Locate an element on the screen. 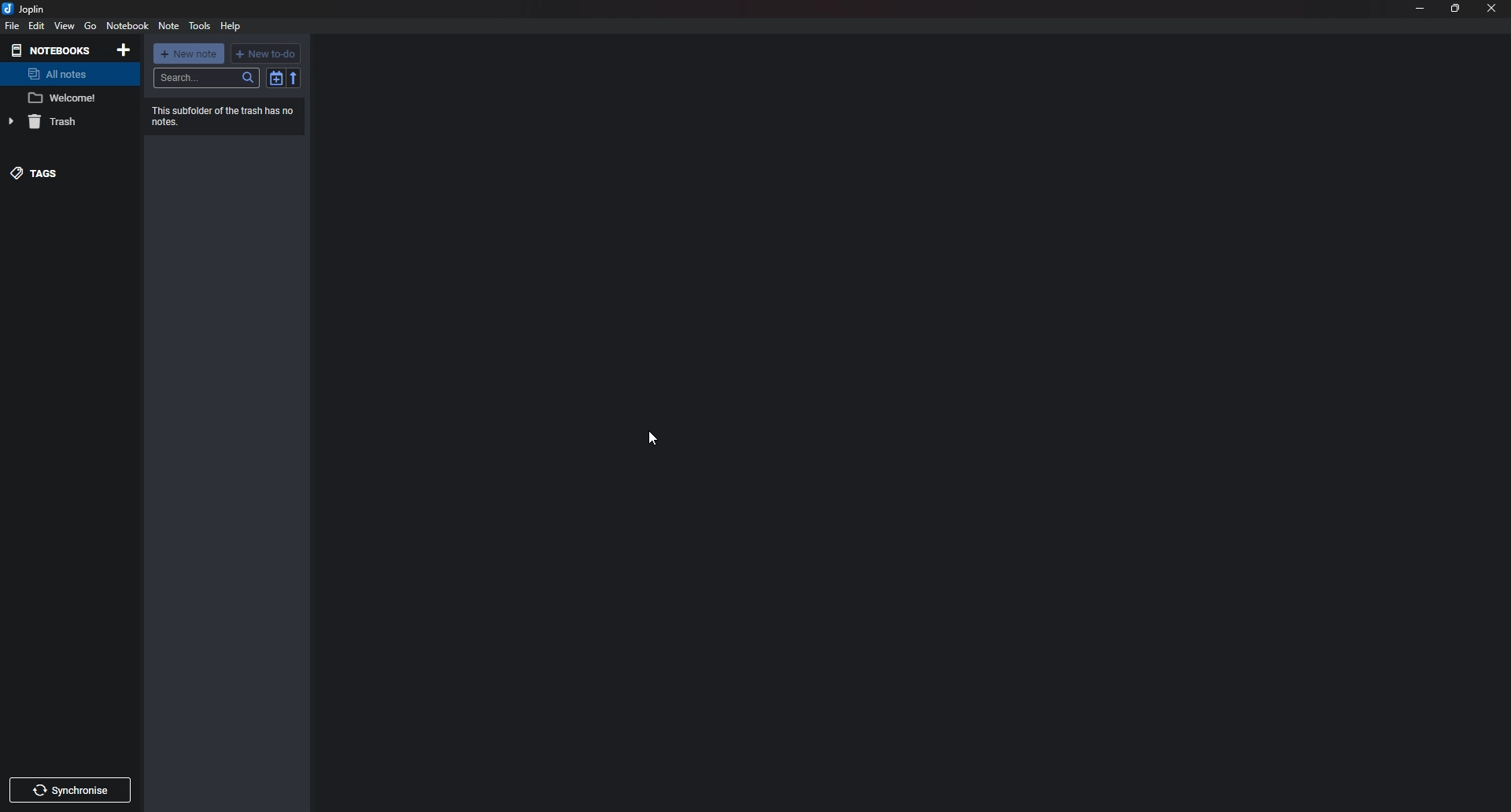 The height and width of the screenshot is (812, 1511). Notebooks is located at coordinates (53, 51).